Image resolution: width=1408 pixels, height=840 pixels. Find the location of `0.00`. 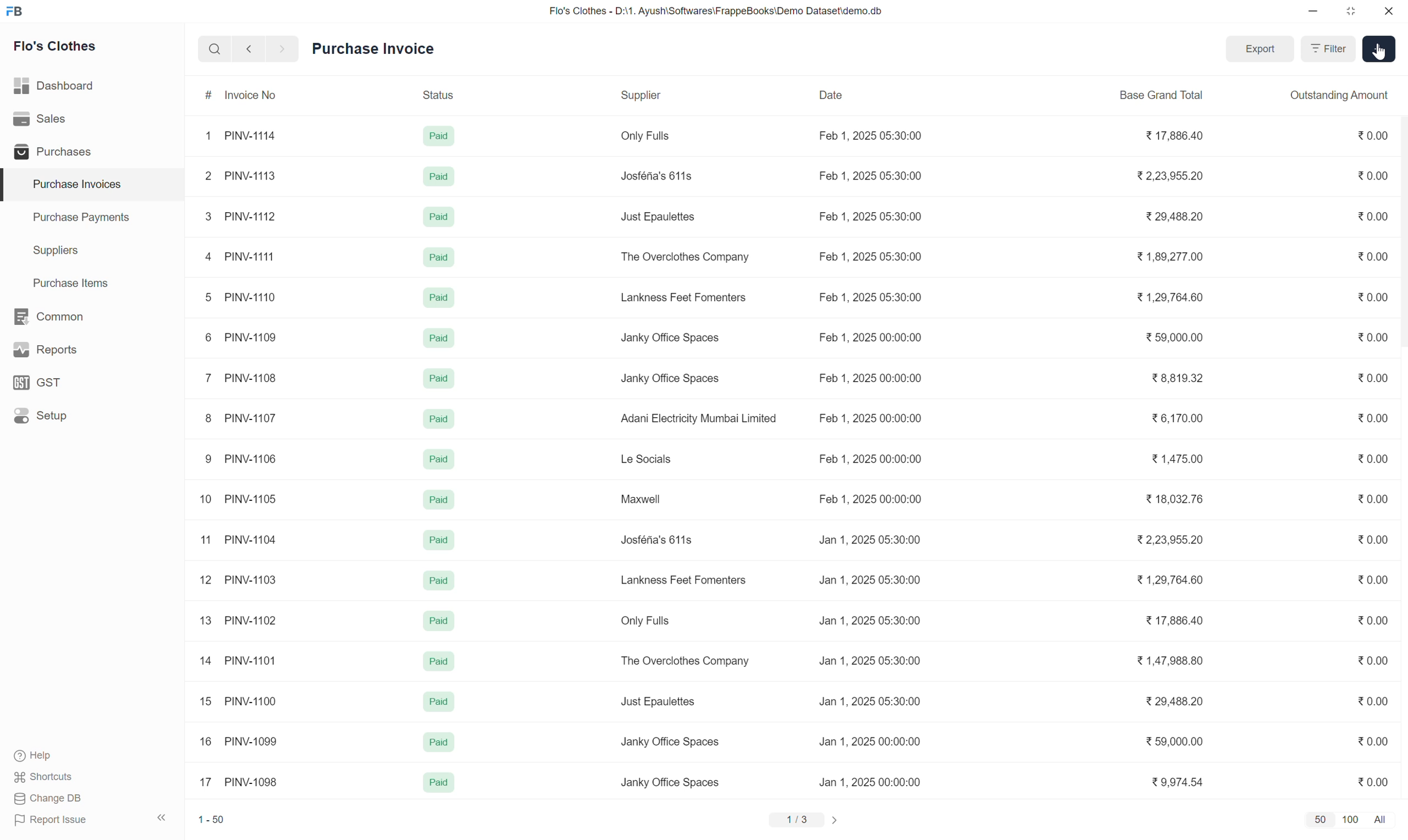

0.00 is located at coordinates (1373, 135).